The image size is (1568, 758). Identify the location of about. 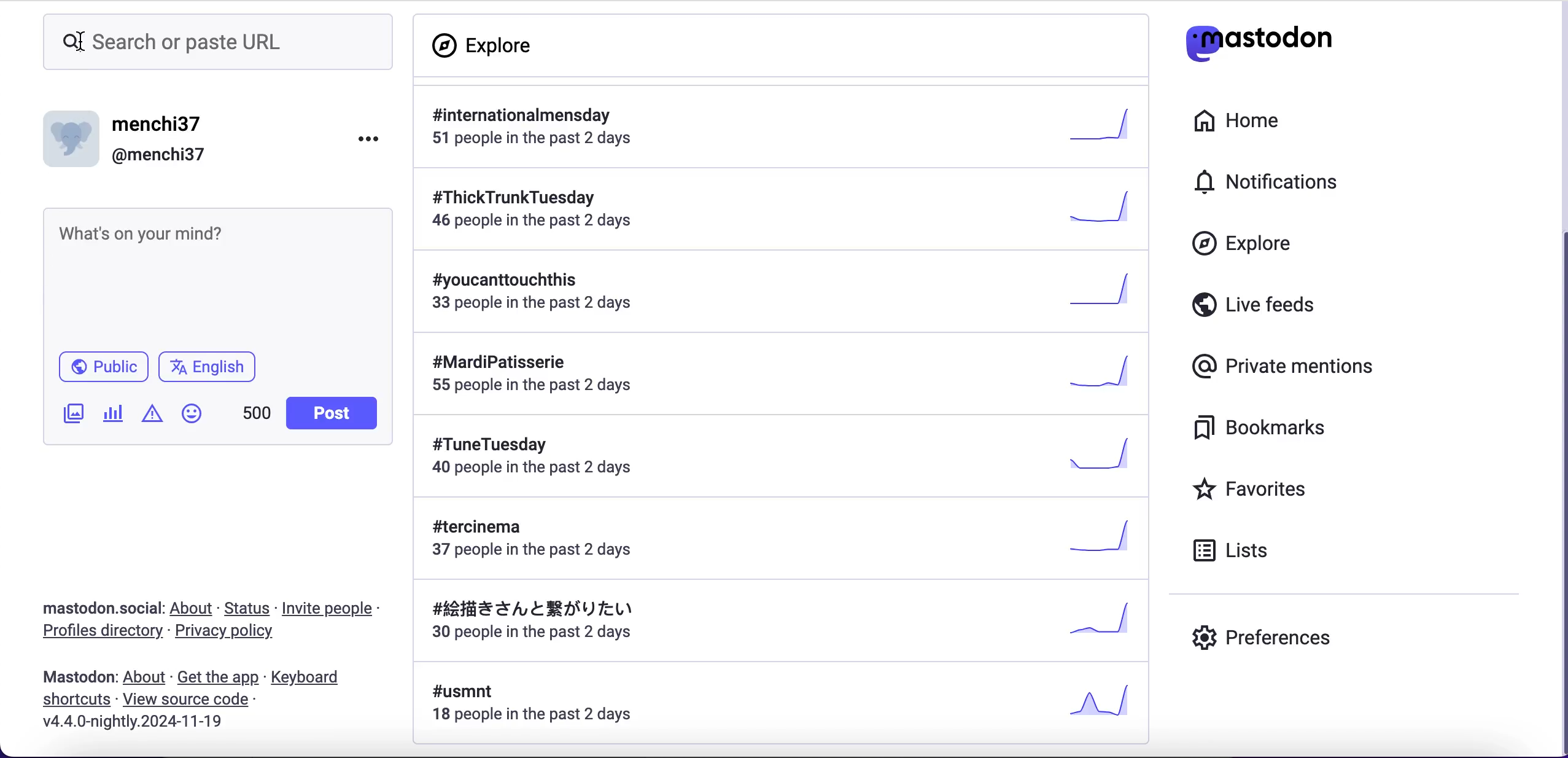
(193, 609).